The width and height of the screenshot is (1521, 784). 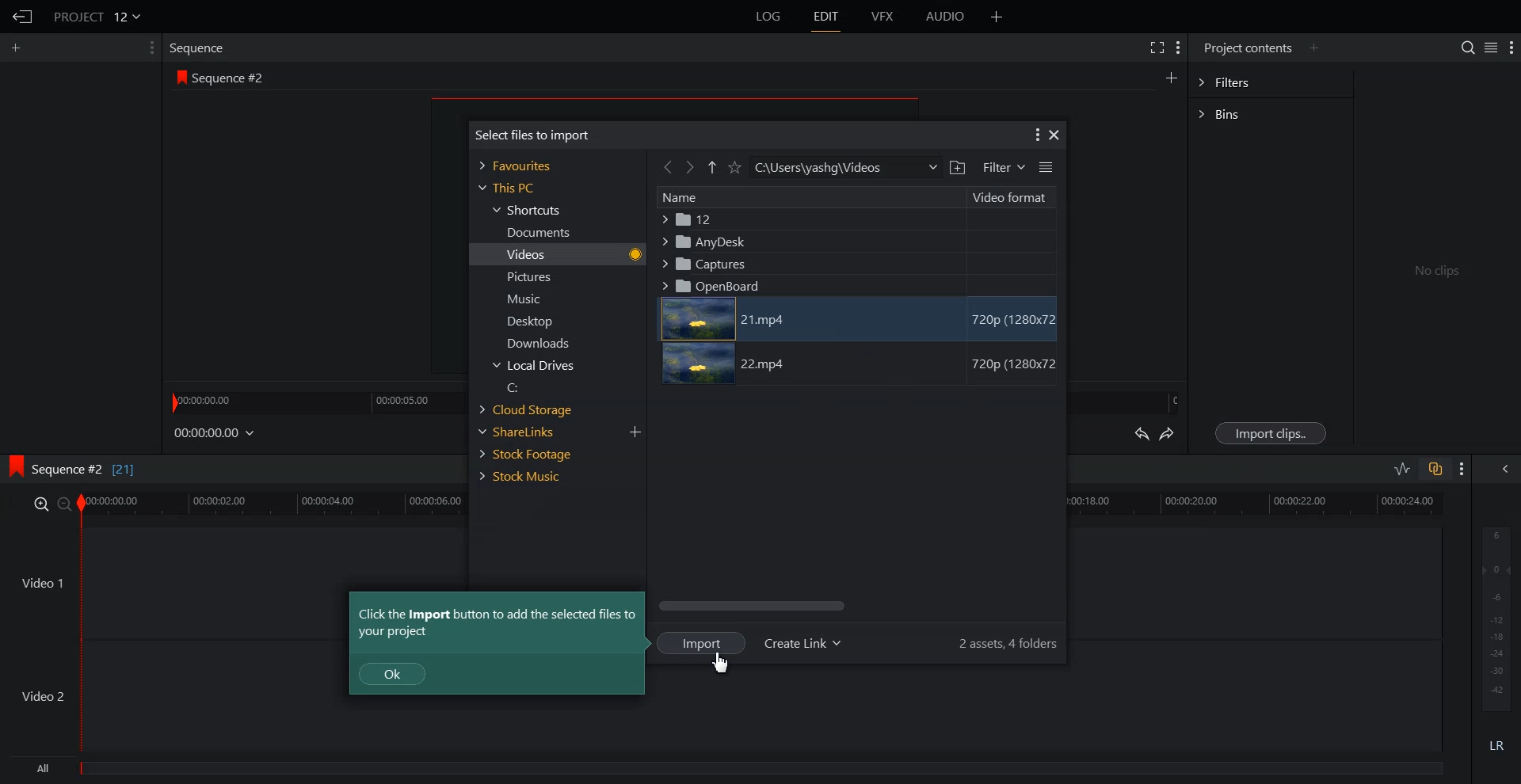 I want to click on Filter, so click(x=1001, y=168).